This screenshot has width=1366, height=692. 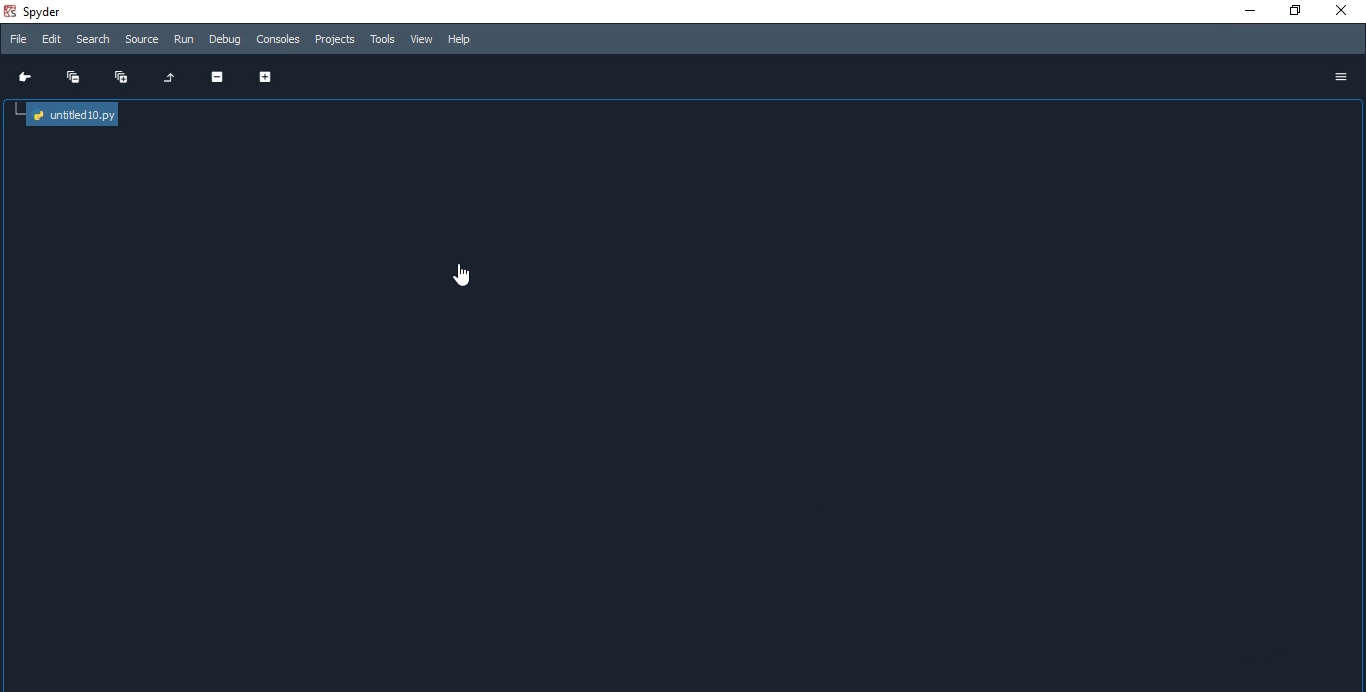 What do you see at coordinates (226, 40) in the screenshot?
I see `Debug` at bounding box center [226, 40].